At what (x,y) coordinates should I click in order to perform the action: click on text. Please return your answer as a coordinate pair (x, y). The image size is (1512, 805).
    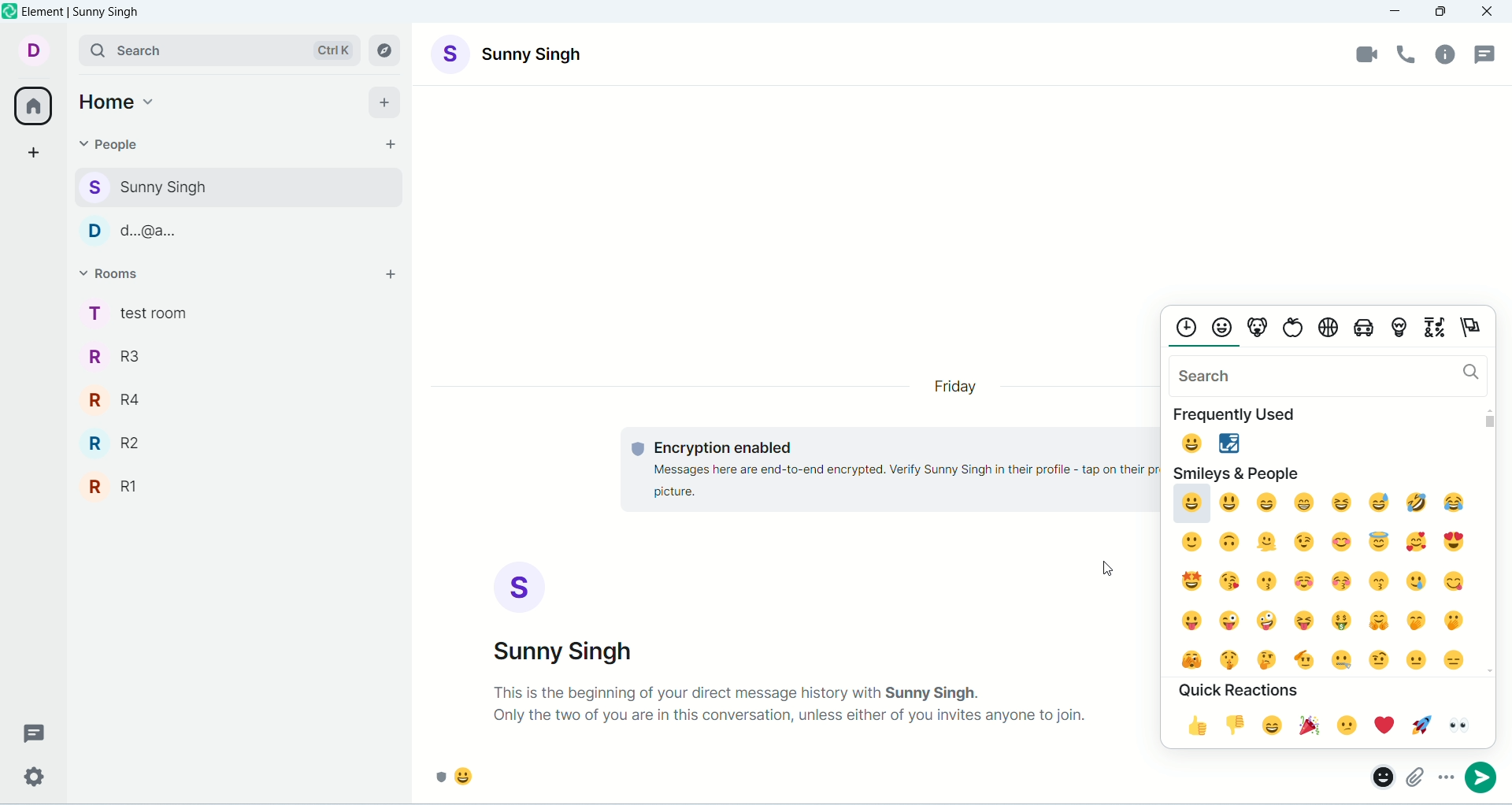
    Looking at the image, I should click on (791, 704).